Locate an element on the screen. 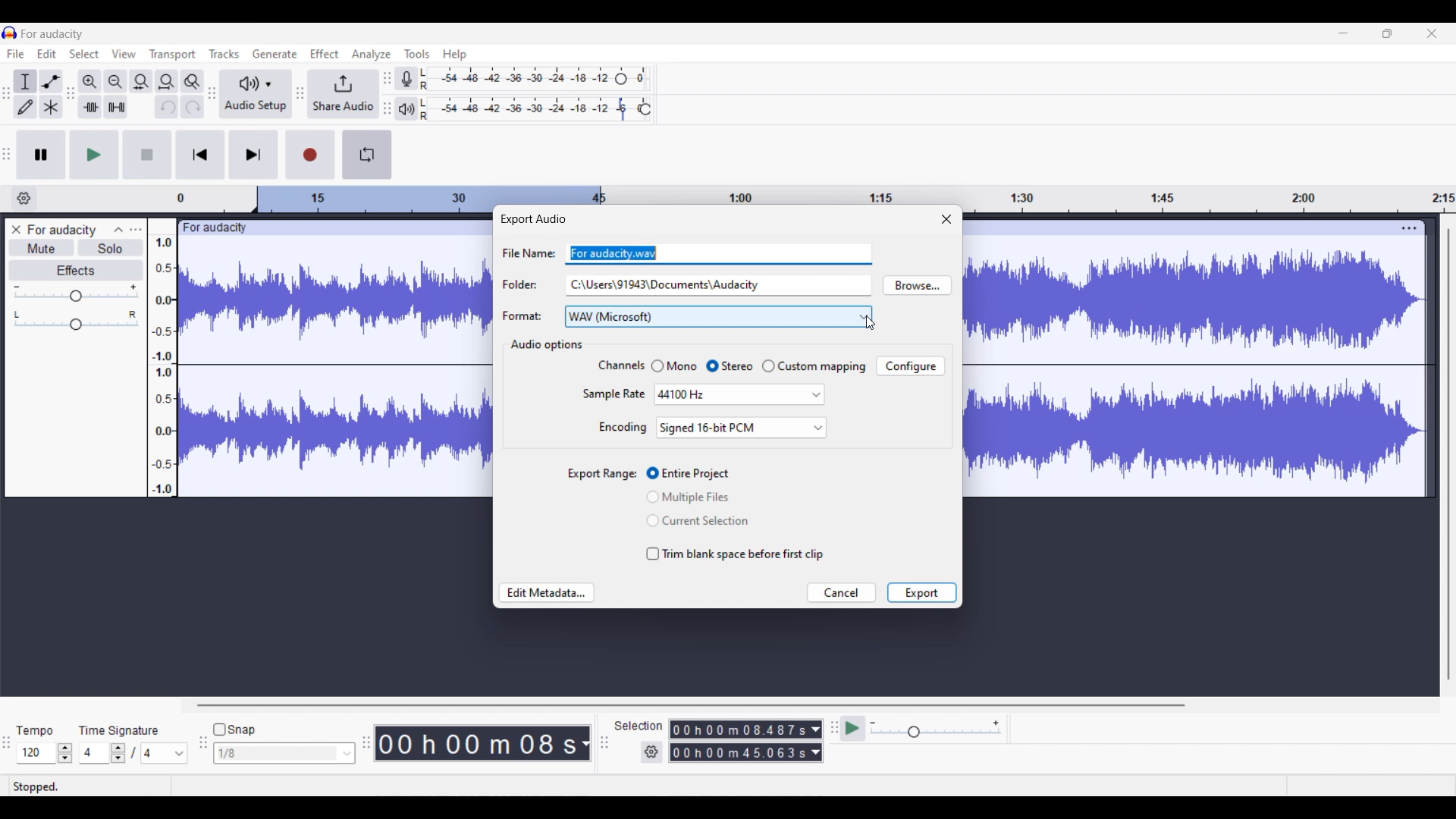  Duration measurement is located at coordinates (815, 752).